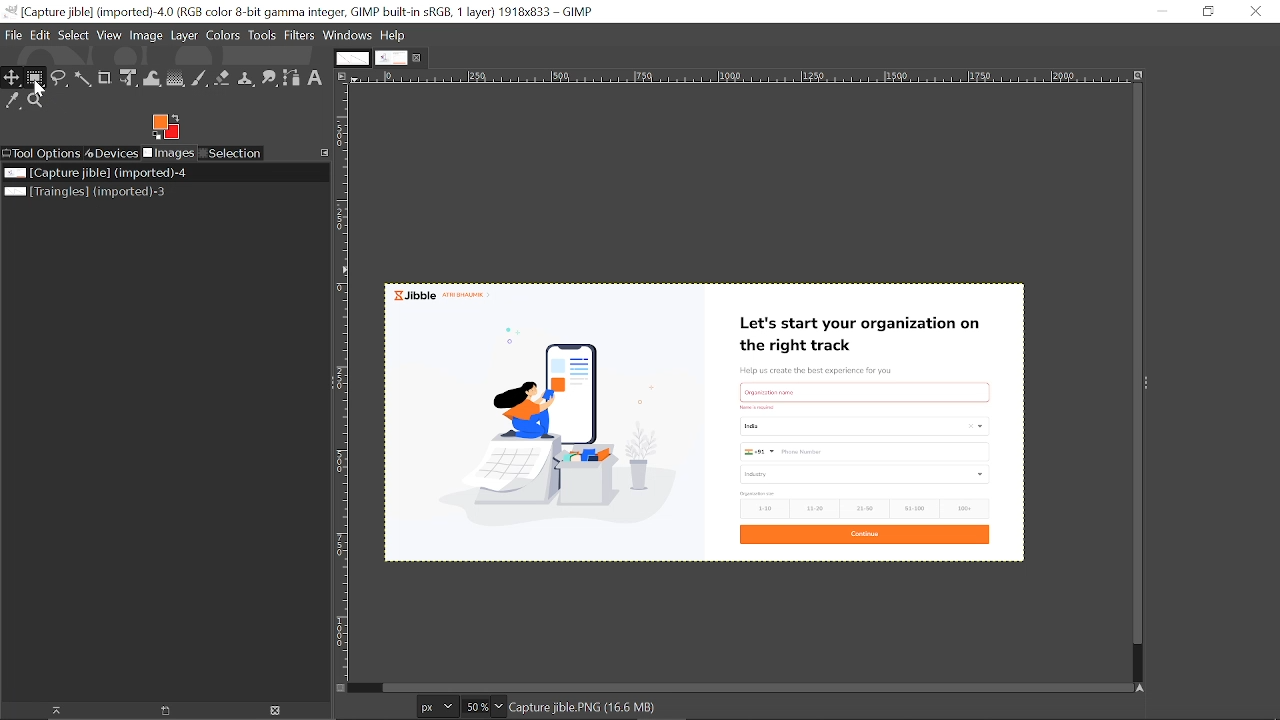 The image size is (1280, 720). I want to click on Horizontal srollbar, so click(758, 686).